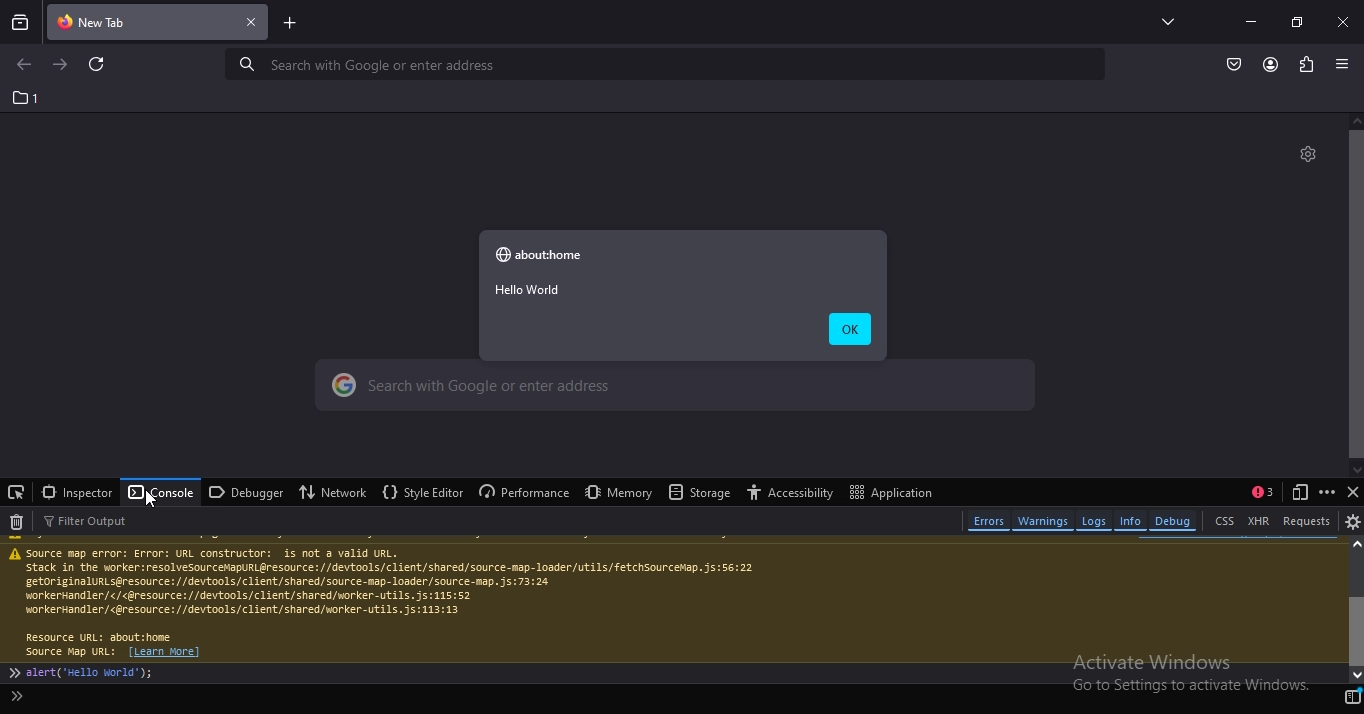 Image resolution: width=1364 pixels, height=714 pixels. What do you see at coordinates (1355, 611) in the screenshot?
I see `scroll bar` at bounding box center [1355, 611].